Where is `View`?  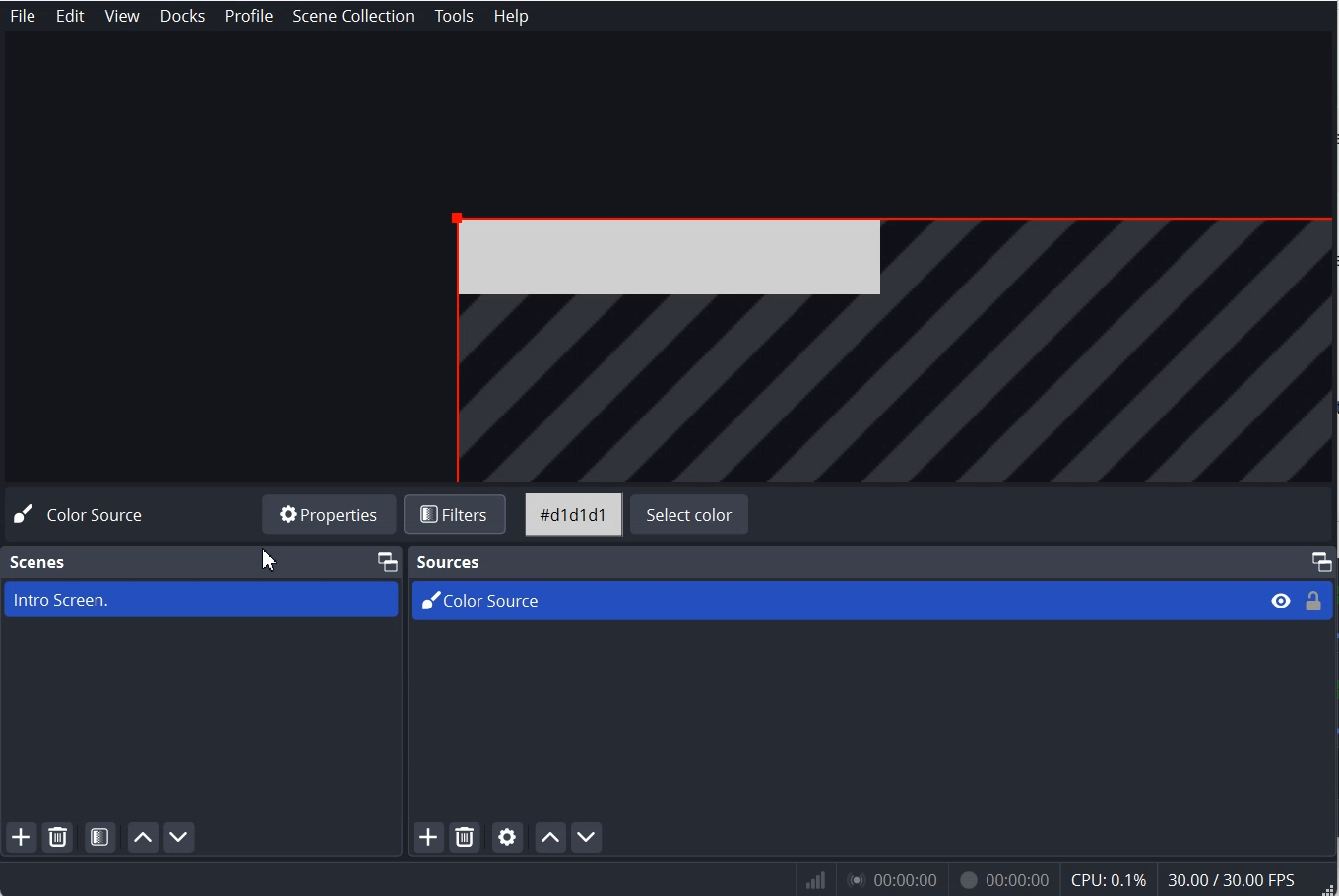 View is located at coordinates (123, 16).